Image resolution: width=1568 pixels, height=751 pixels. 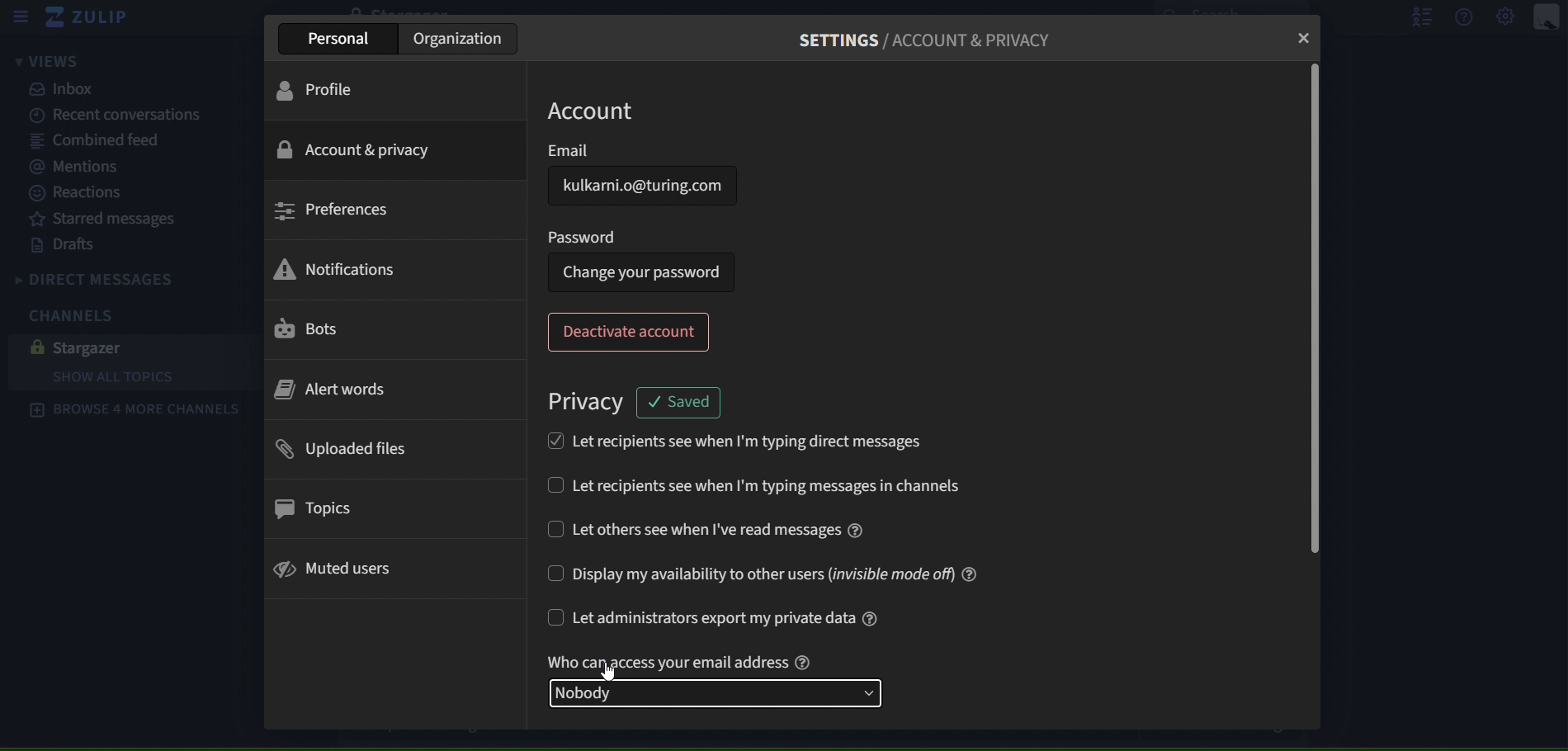 What do you see at coordinates (1311, 311) in the screenshot?
I see `scrollbar` at bounding box center [1311, 311].